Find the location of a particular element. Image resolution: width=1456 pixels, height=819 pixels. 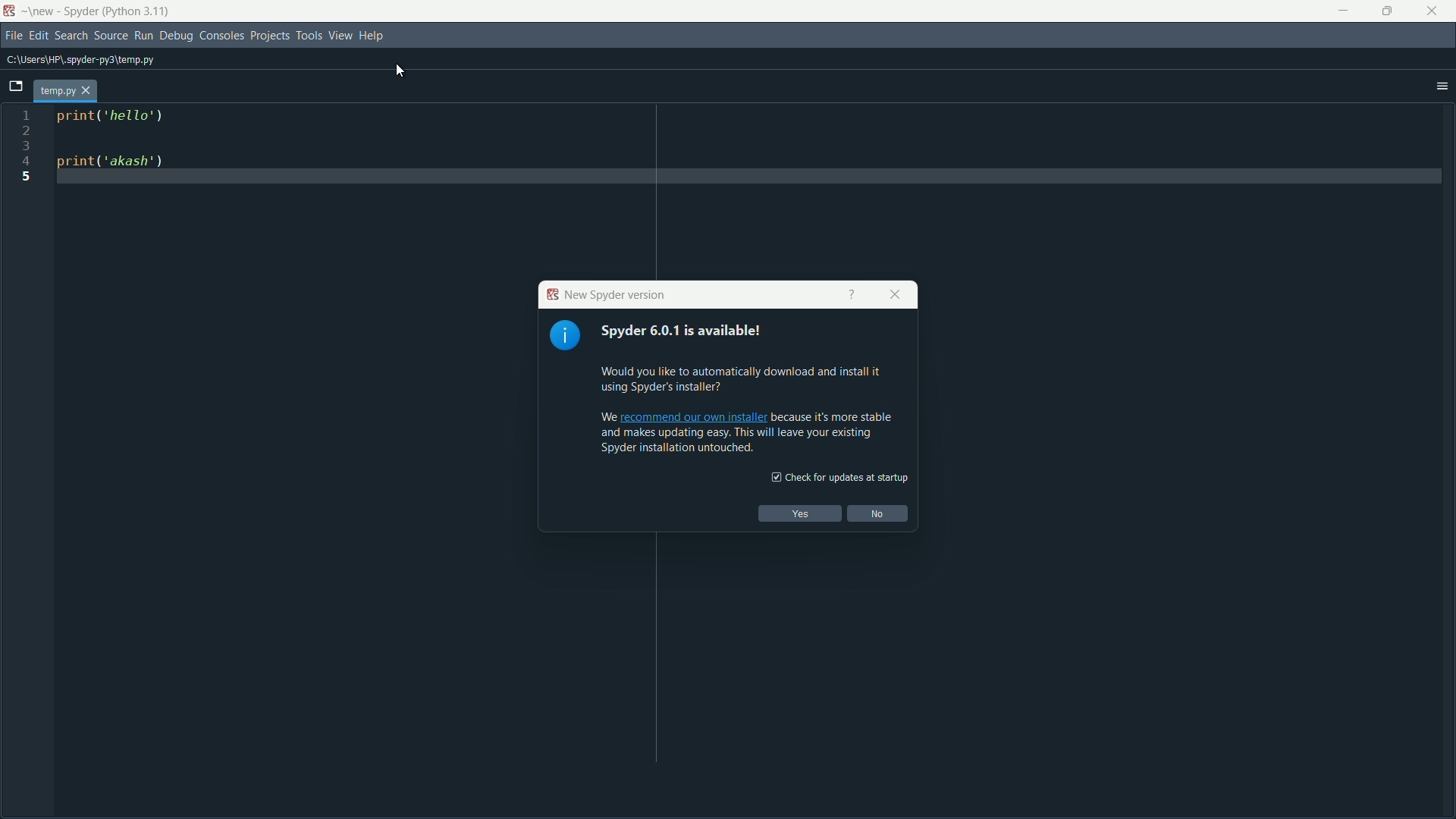

python 3.11 is located at coordinates (139, 11).